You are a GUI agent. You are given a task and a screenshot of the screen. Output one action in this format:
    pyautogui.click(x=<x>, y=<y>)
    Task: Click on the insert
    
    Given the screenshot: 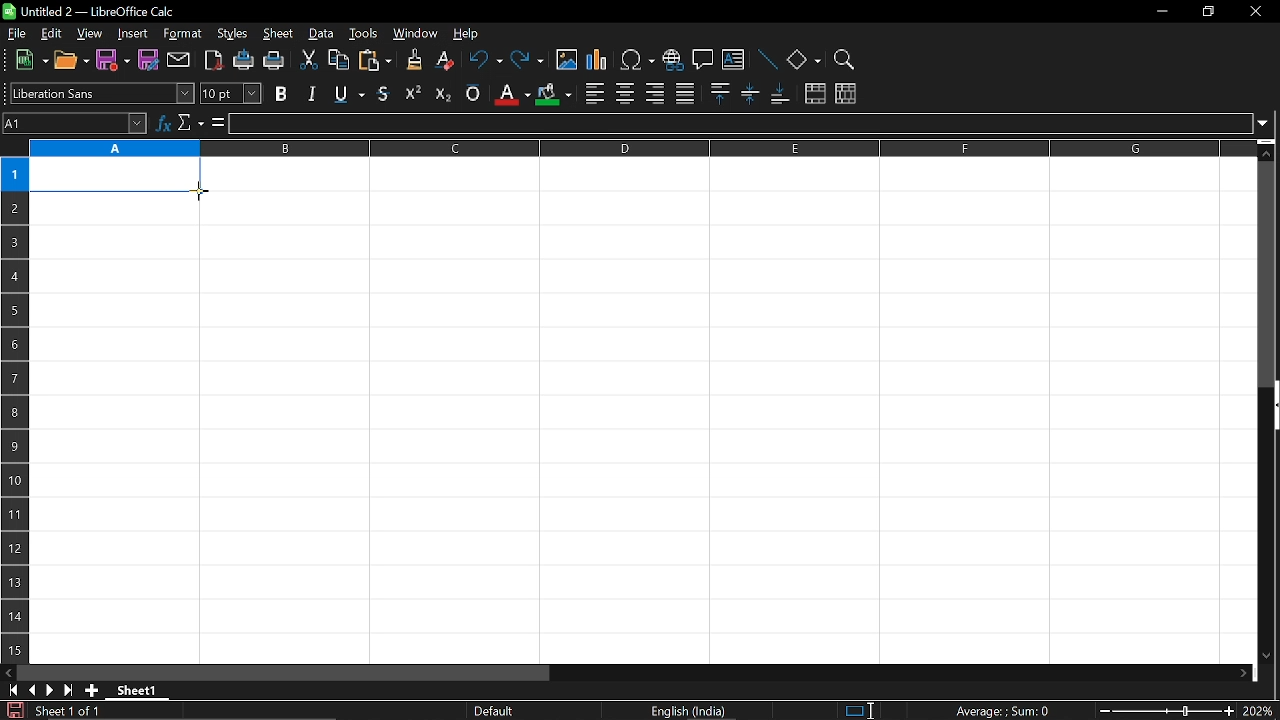 What is the action you would take?
    pyautogui.click(x=133, y=34)
    